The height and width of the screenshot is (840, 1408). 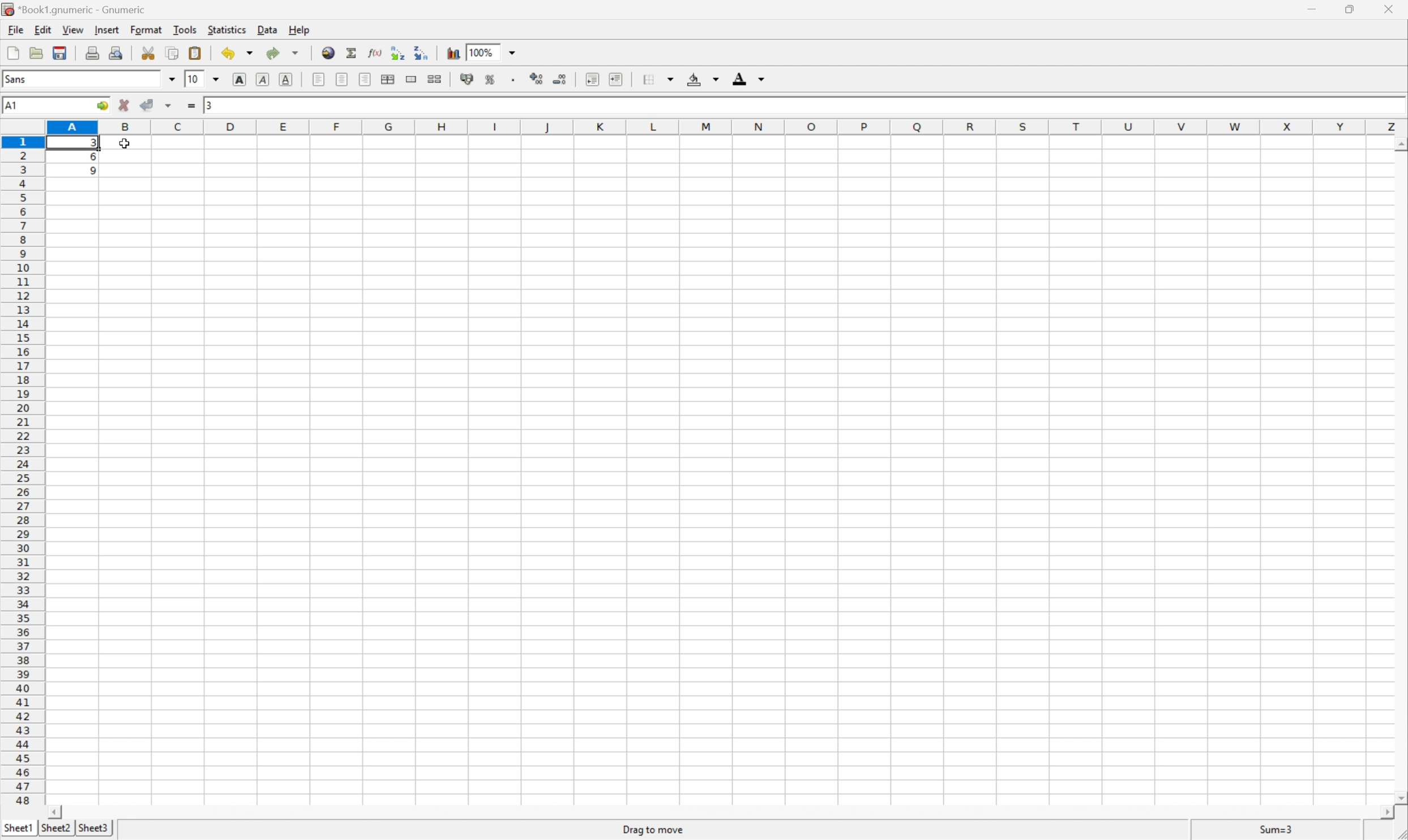 I want to click on Help, so click(x=299, y=29).